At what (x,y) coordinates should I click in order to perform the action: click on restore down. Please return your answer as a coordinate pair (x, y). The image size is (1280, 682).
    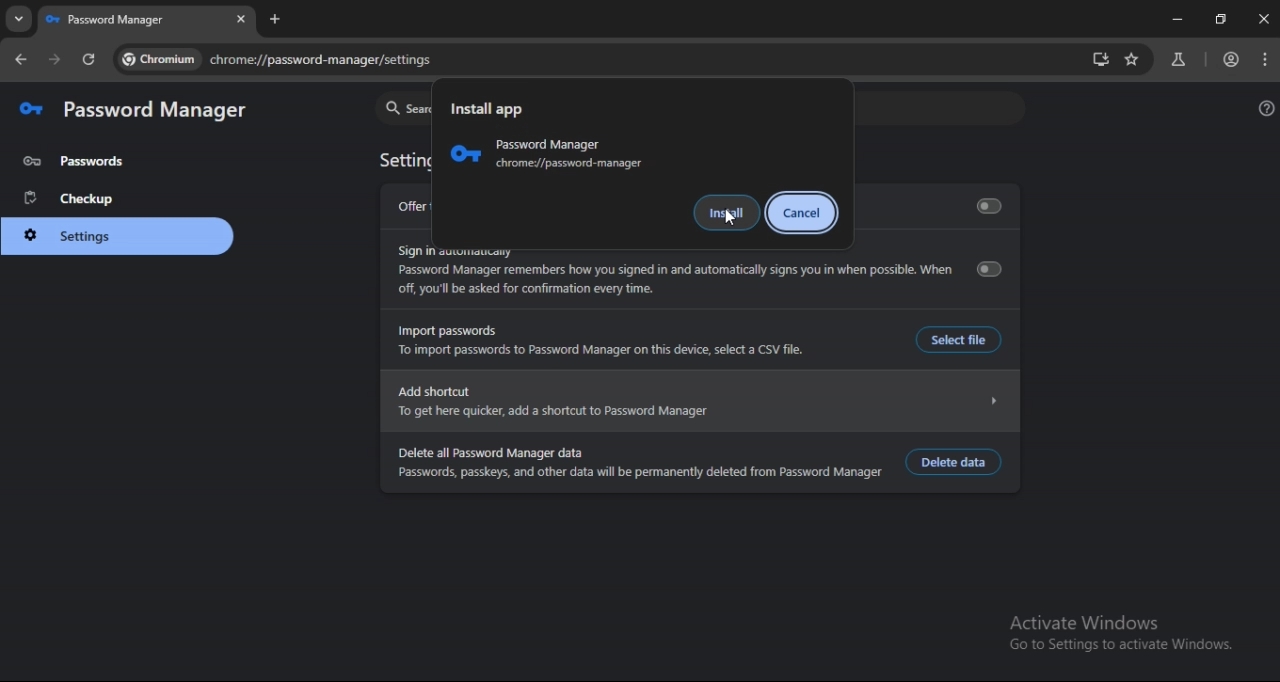
    Looking at the image, I should click on (1218, 19).